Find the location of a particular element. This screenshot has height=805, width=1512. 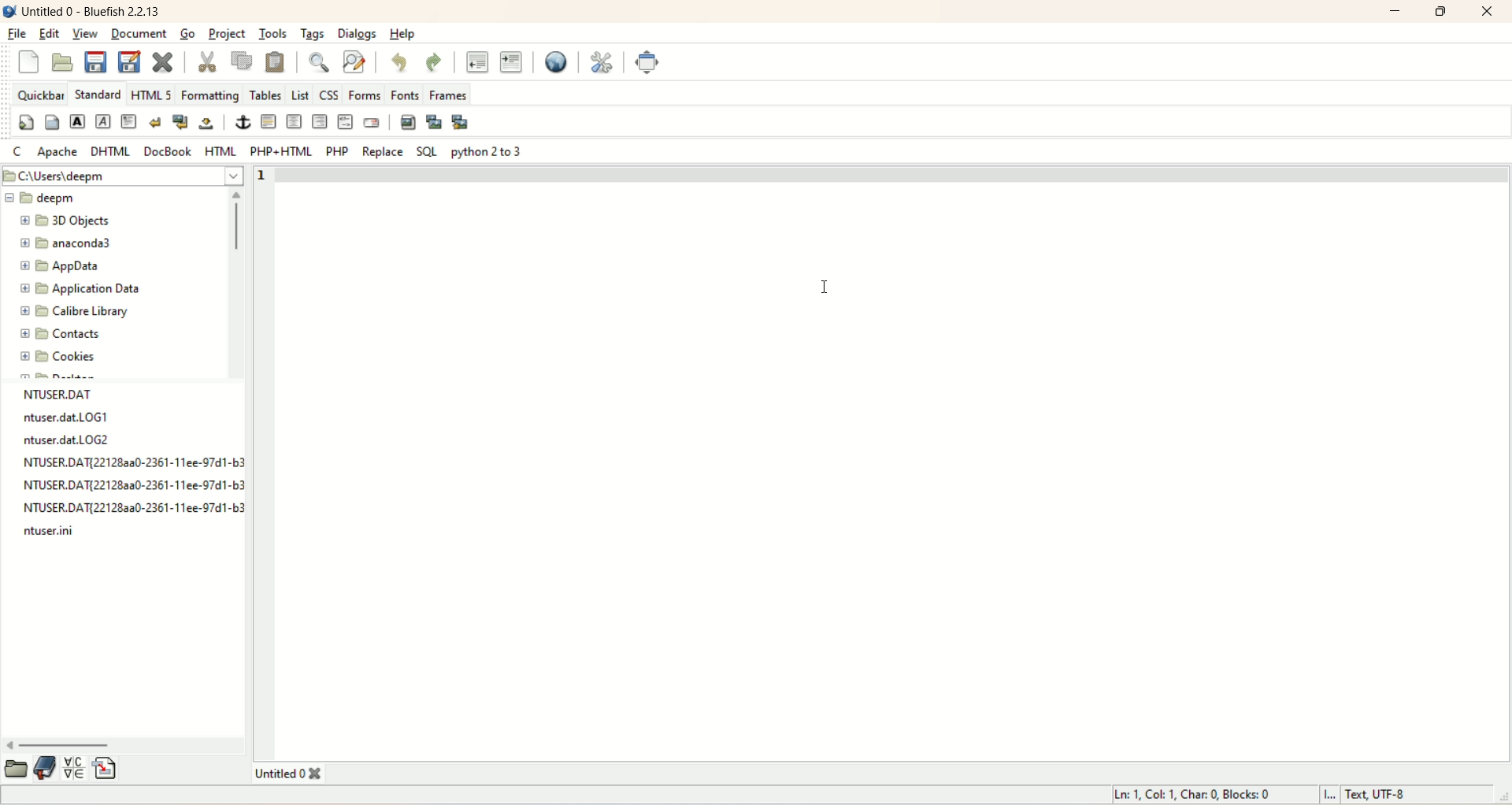

ln, col, char, blocks is located at coordinates (1190, 795).